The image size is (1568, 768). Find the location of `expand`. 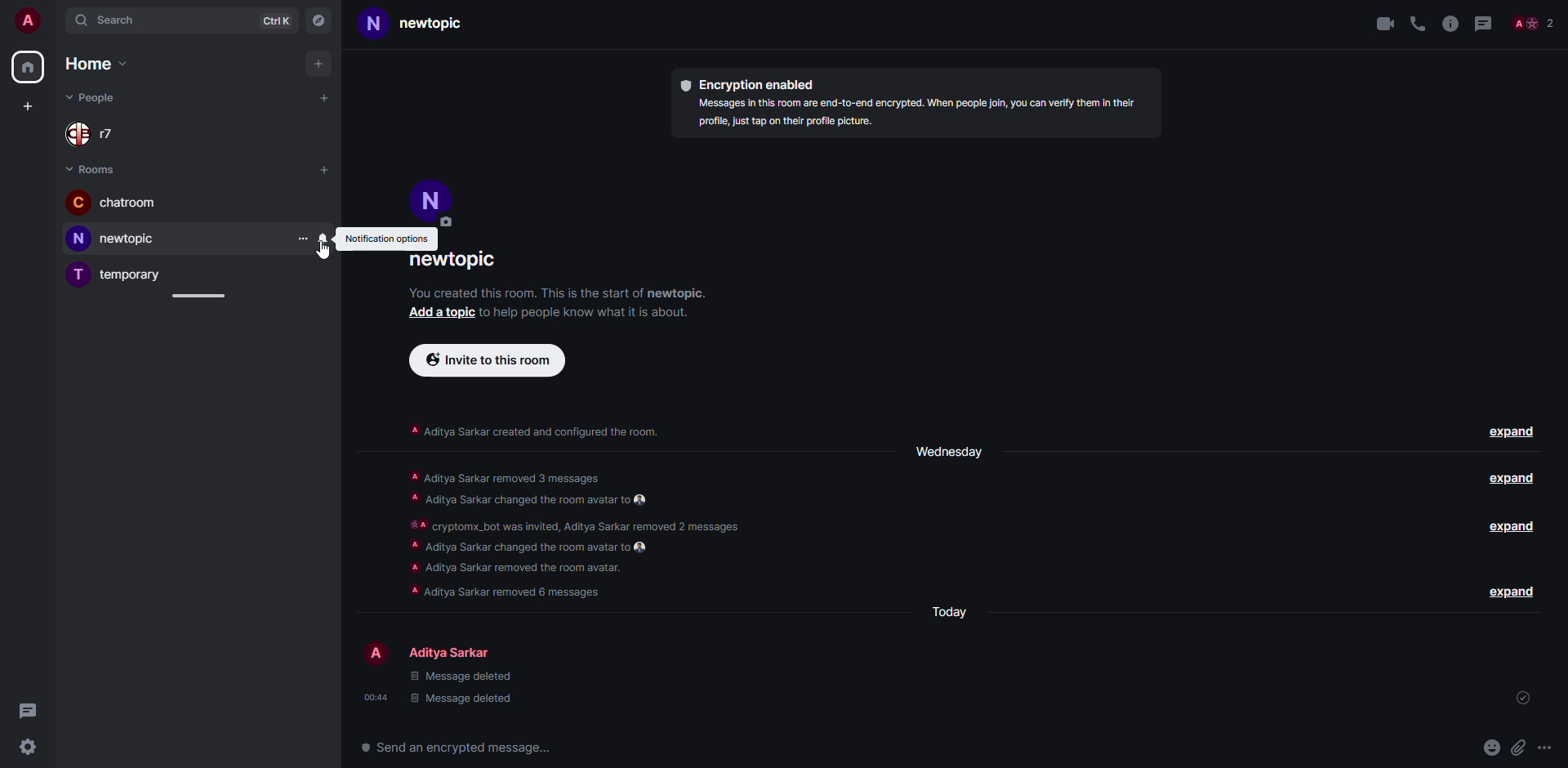

expand is located at coordinates (1514, 478).